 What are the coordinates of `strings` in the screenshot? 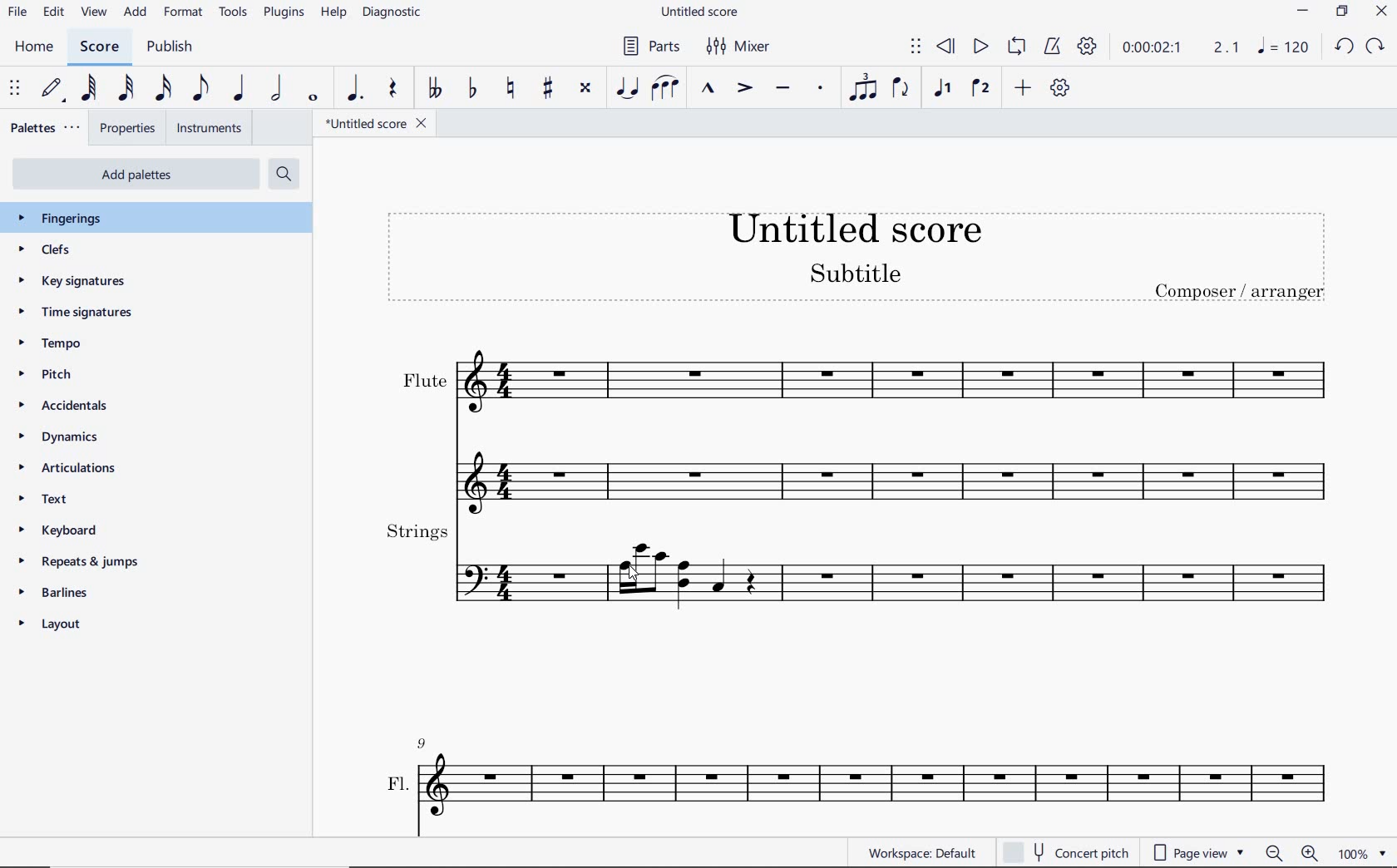 It's located at (858, 565).